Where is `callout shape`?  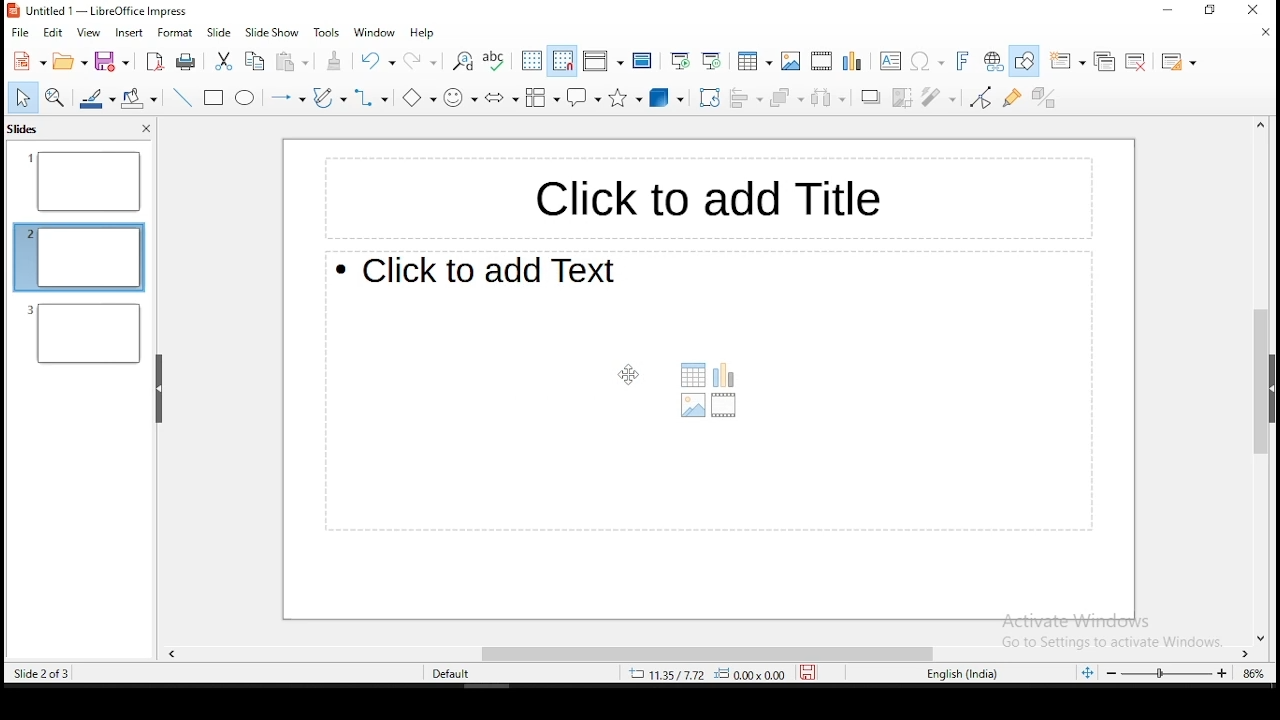 callout shape is located at coordinates (584, 97).